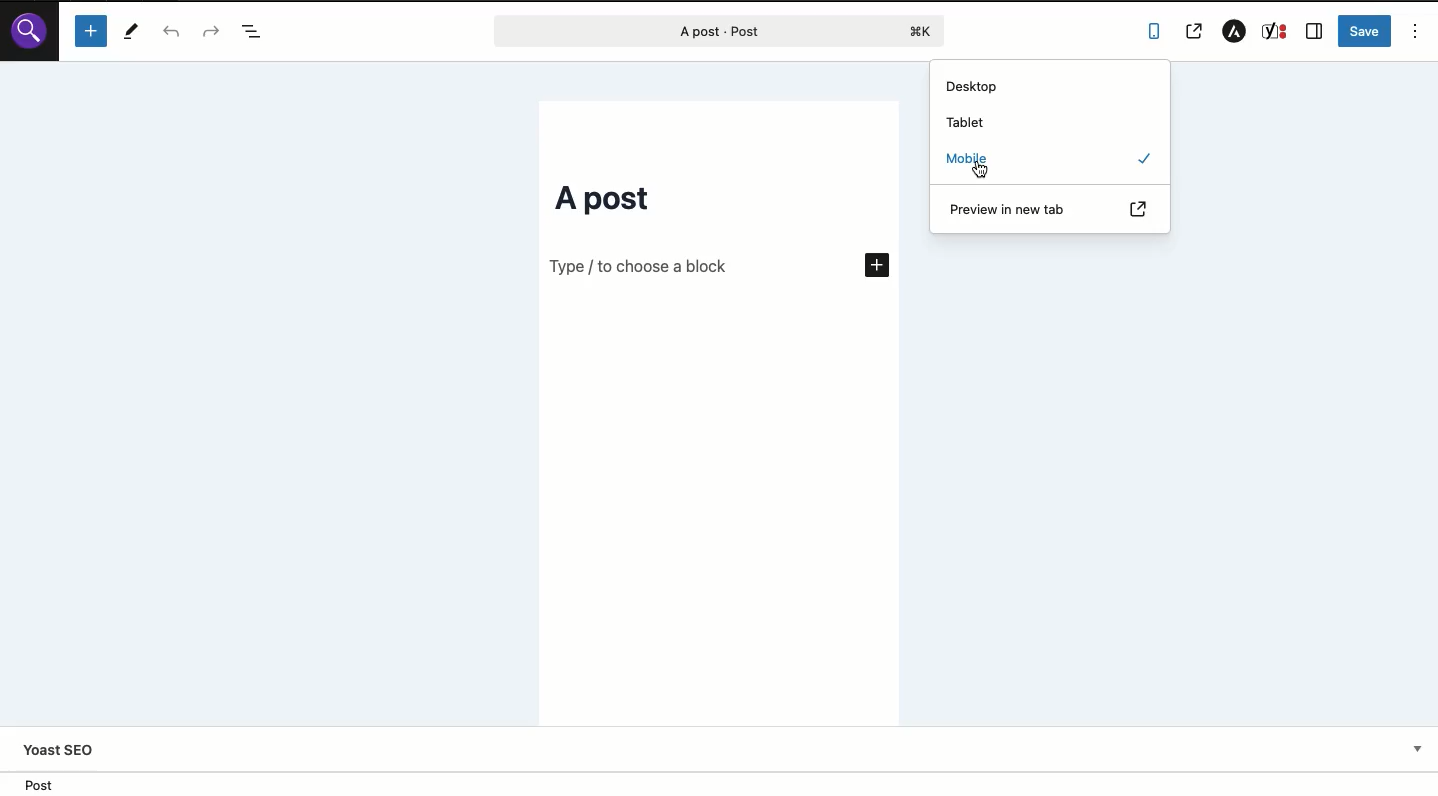 This screenshot has width=1438, height=796. Describe the element at coordinates (1198, 31) in the screenshot. I see `View post` at that location.